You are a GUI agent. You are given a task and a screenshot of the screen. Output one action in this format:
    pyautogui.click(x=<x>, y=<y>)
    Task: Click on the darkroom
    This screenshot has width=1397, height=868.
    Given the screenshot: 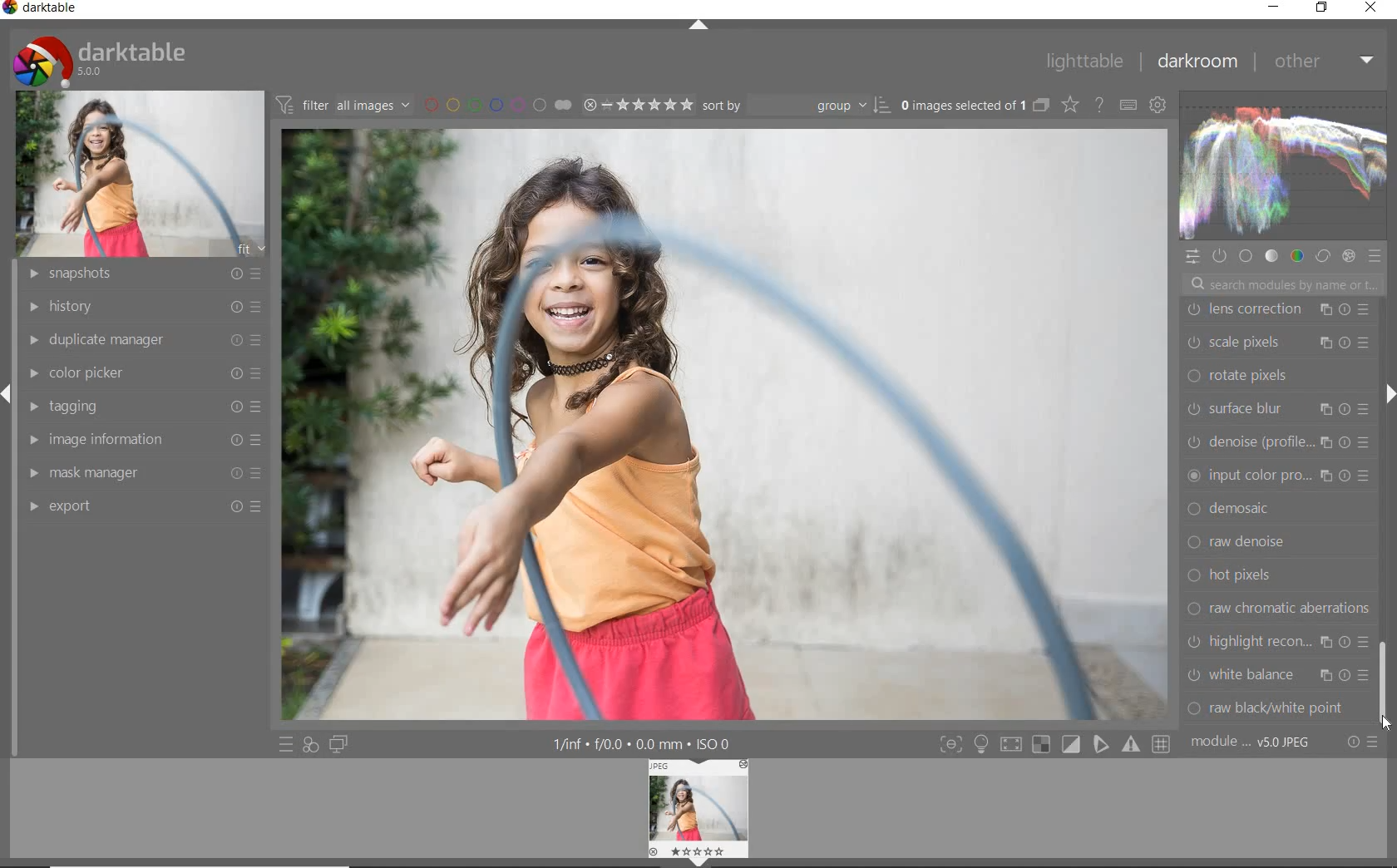 What is the action you would take?
    pyautogui.click(x=1200, y=62)
    